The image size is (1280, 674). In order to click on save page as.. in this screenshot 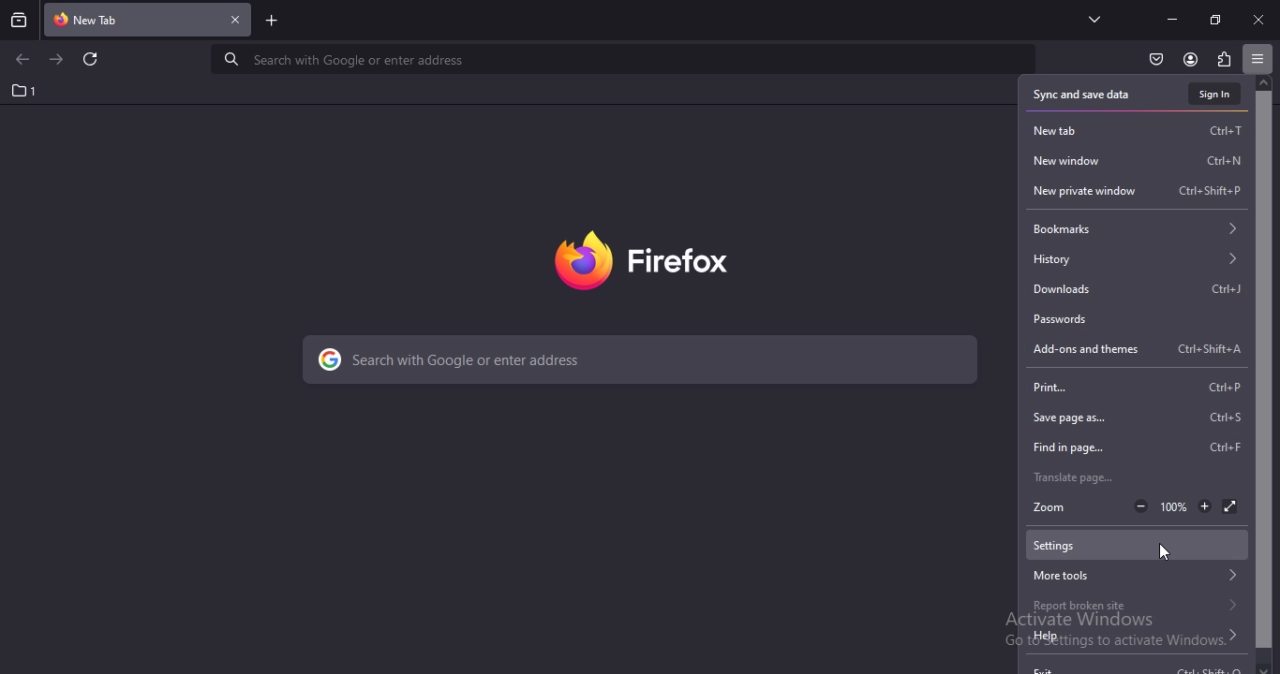, I will do `click(1139, 418)`.